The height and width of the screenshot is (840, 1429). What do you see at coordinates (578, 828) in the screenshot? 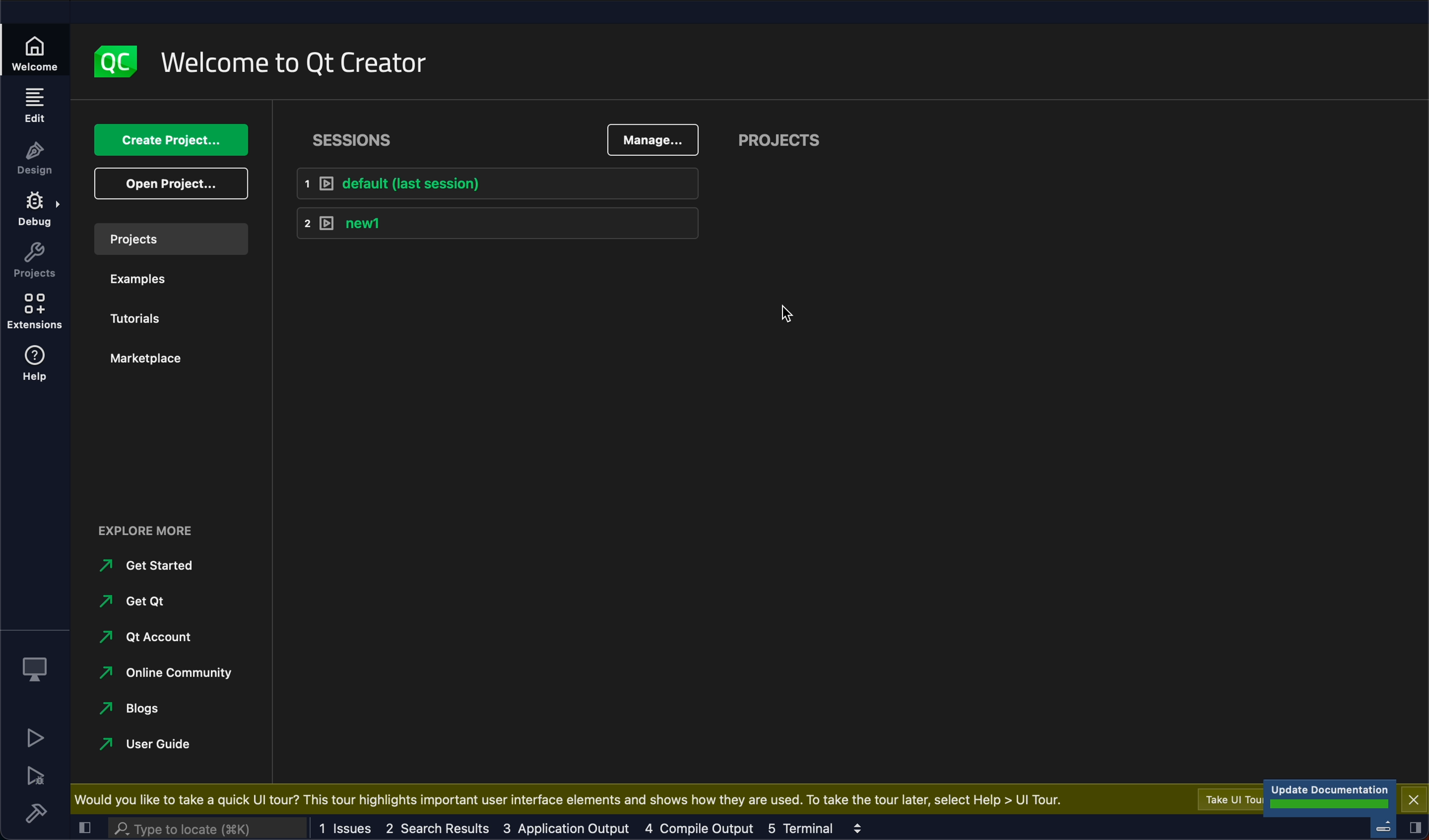
I see `logs` at bounding box center [578, 828].